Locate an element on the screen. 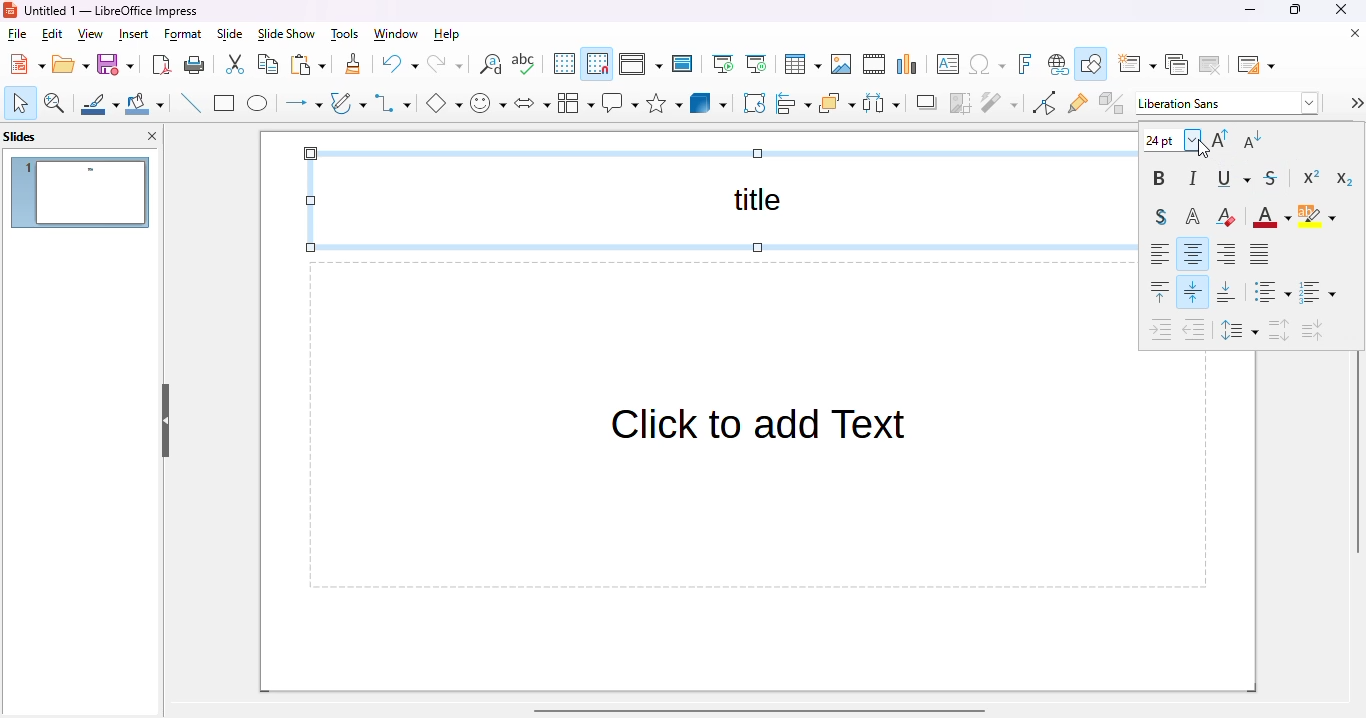  font color is located at coordinates (1273, 217).